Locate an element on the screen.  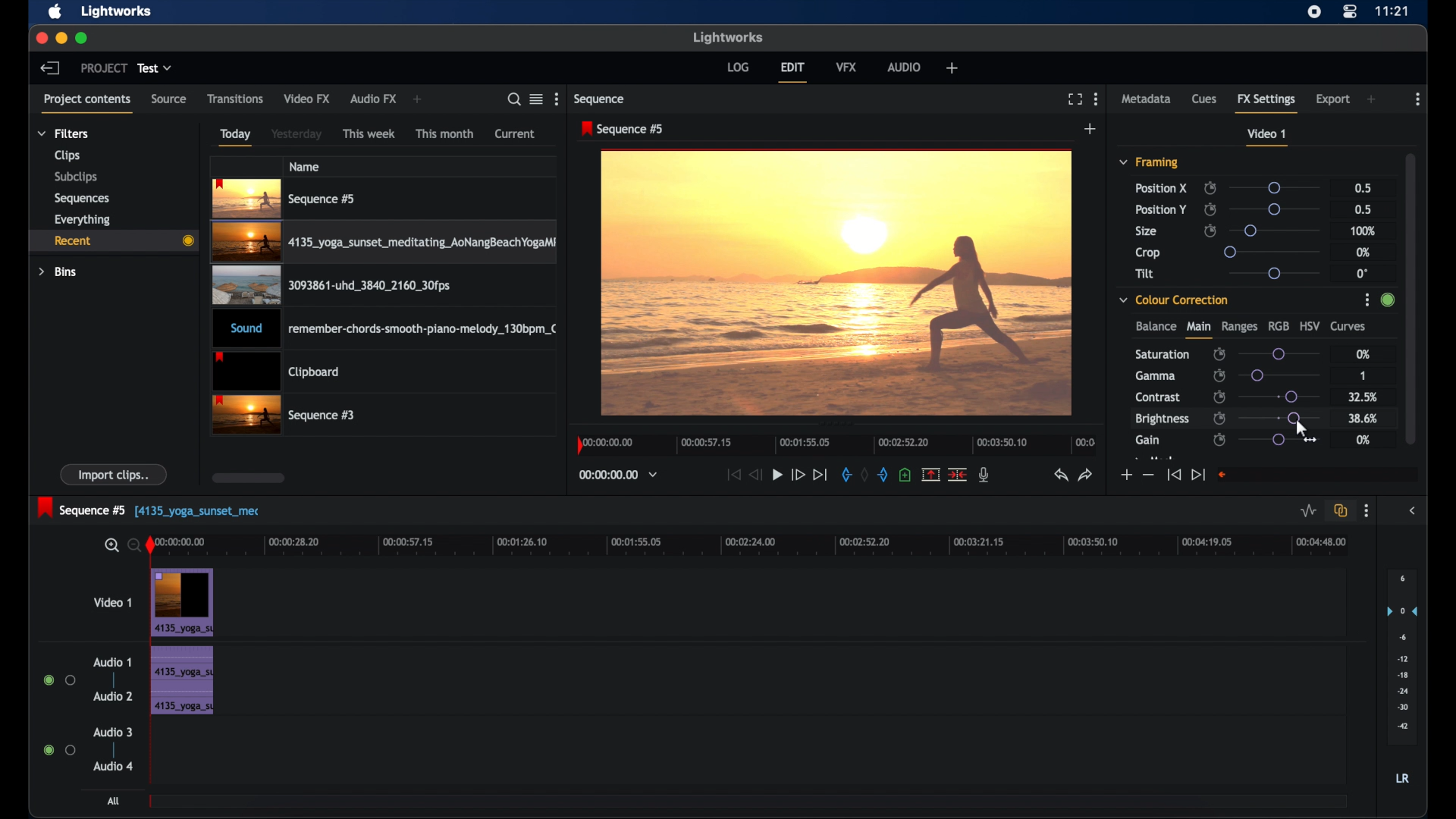
undo is located at coordinates (1059, 475).